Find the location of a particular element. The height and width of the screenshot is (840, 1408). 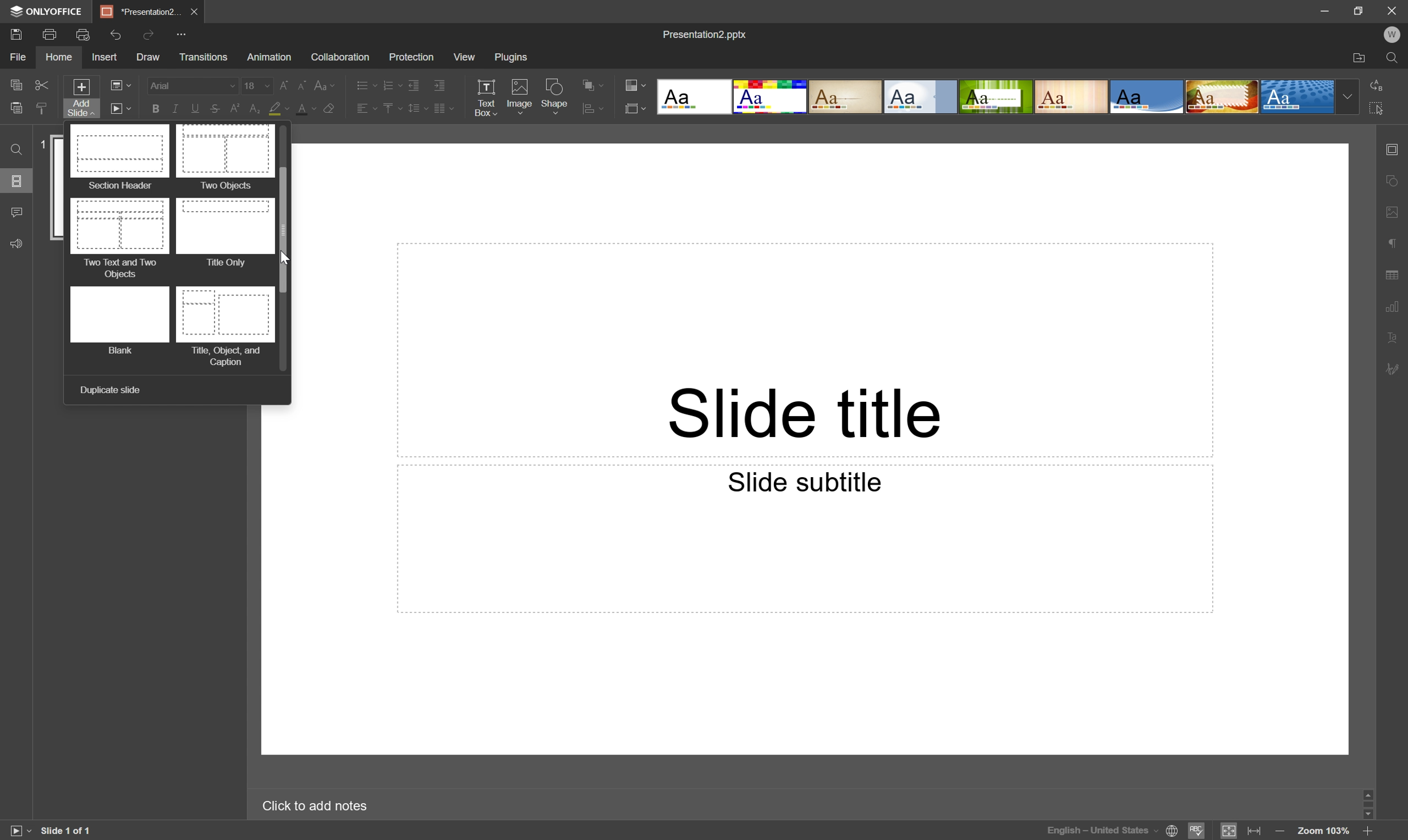

Highlight color is located at coordinates (280, 109).